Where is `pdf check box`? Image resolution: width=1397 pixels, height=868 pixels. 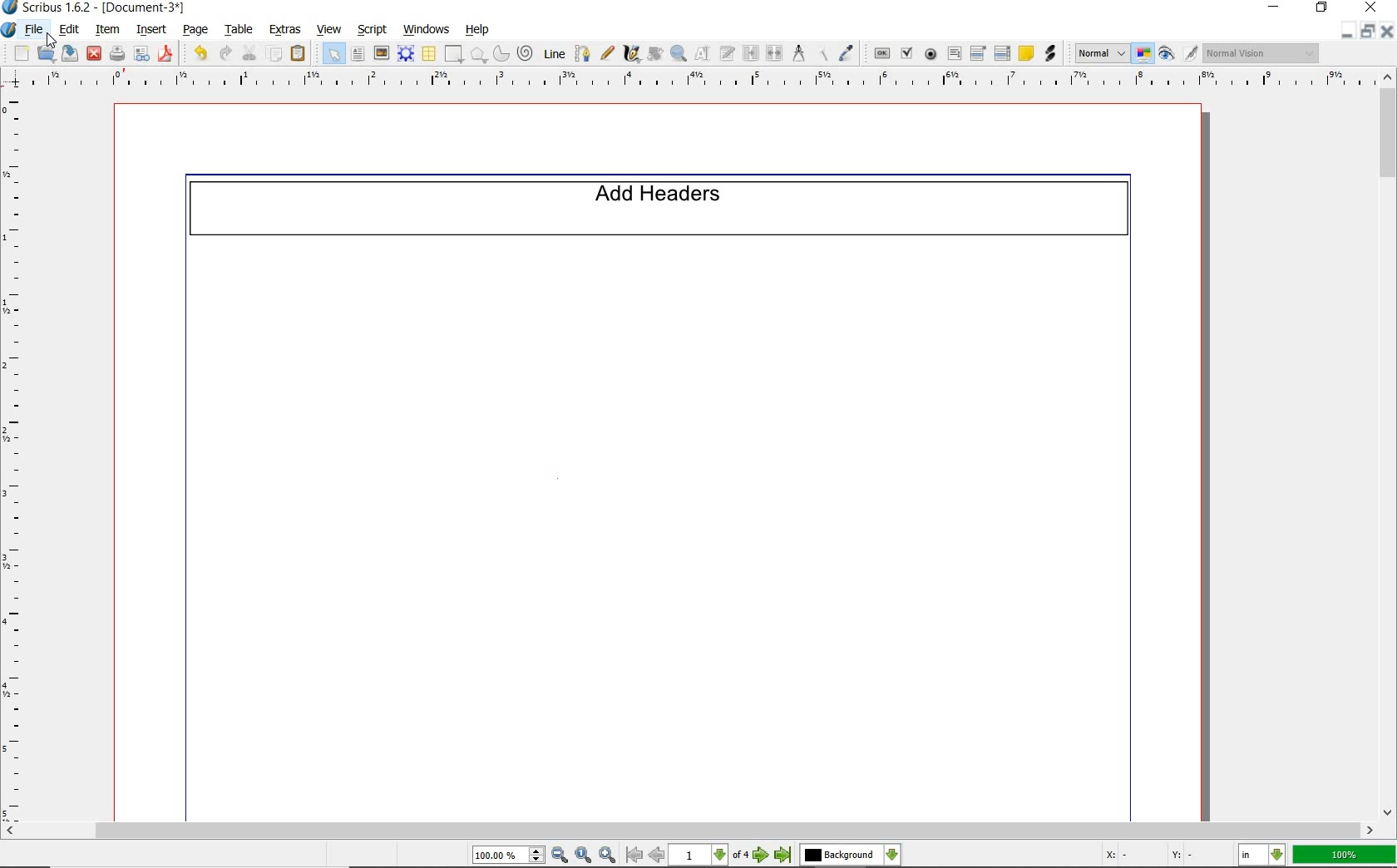 pdf check box is located at coordinates (906, 52).